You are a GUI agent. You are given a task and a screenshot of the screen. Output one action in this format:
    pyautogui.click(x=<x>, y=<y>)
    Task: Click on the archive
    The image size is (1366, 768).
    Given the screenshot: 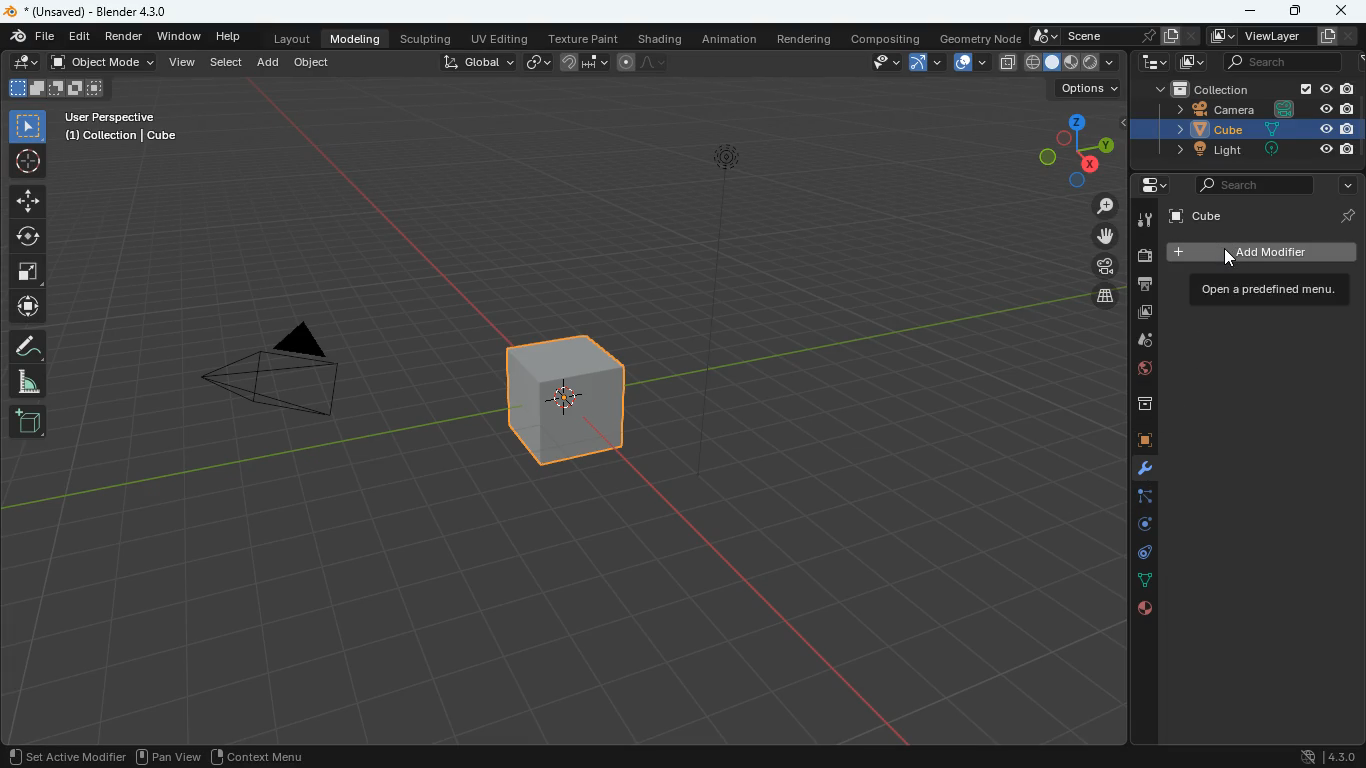 What is the action you would take?
    pyautogui.click(x=1135, y=405)
    